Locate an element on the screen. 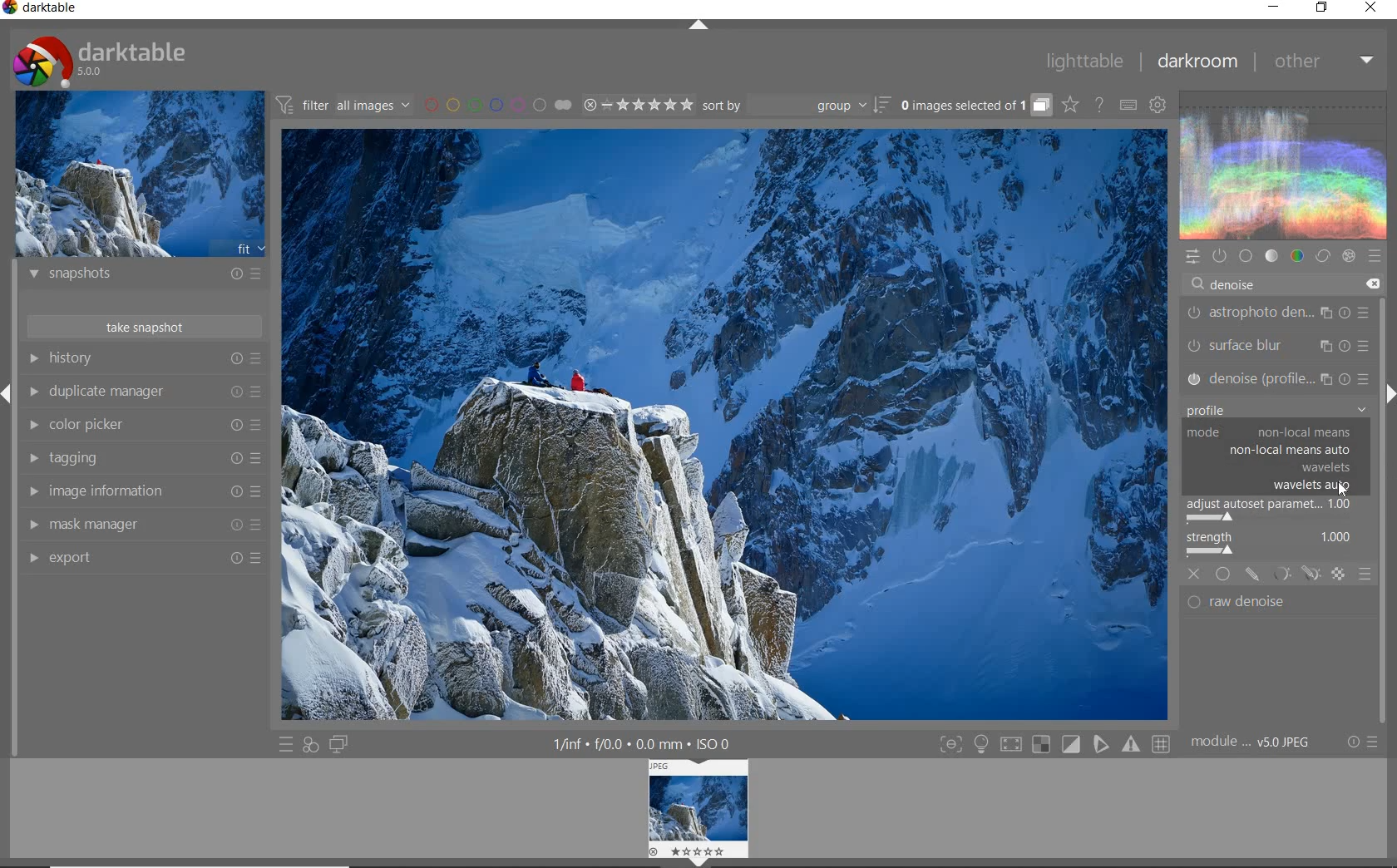  click to change overlays on thumbnails is located at coordinates (1069, 106).